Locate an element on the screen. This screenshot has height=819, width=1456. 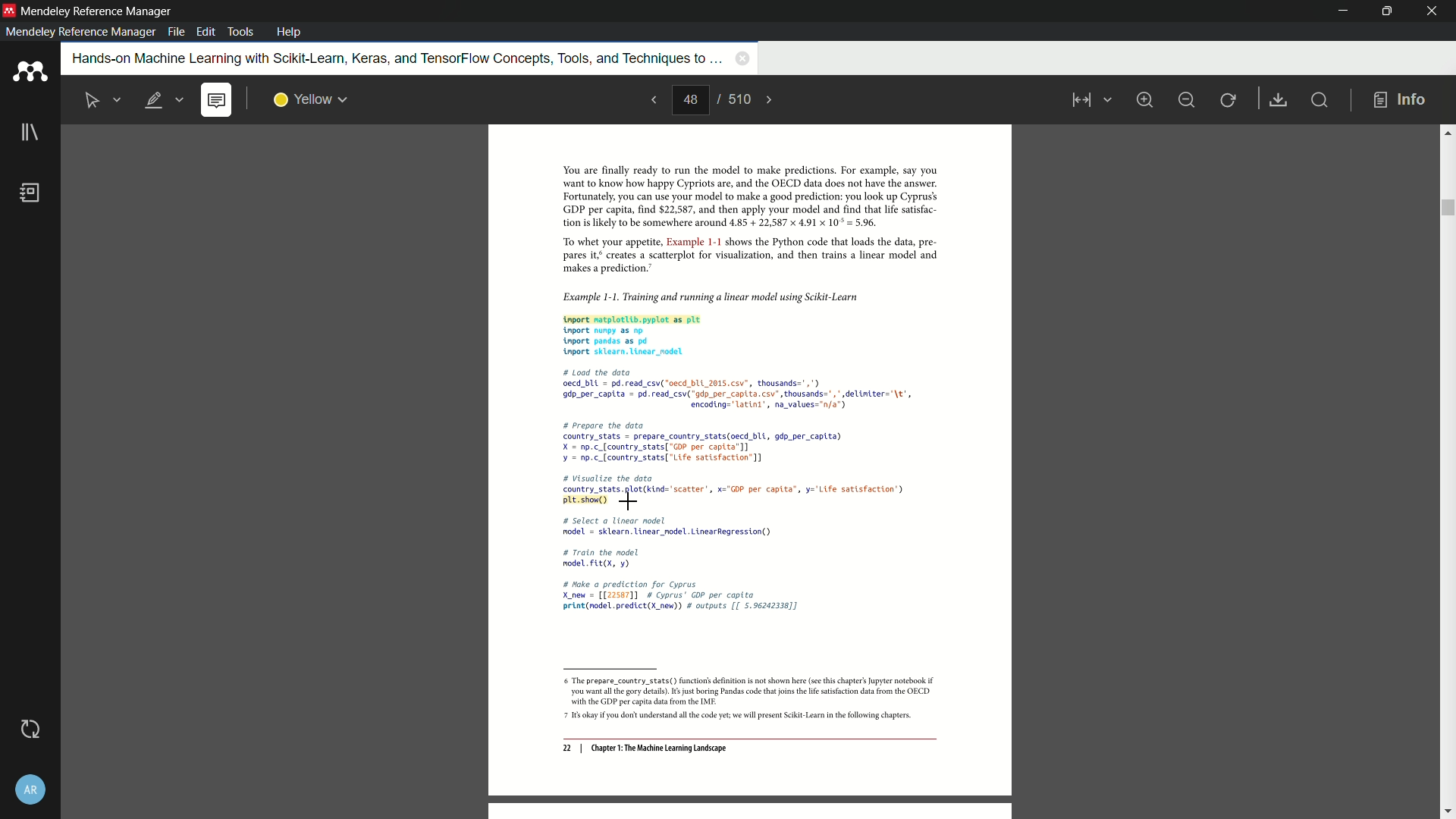
edit menu is located at coordinates (208, 32).